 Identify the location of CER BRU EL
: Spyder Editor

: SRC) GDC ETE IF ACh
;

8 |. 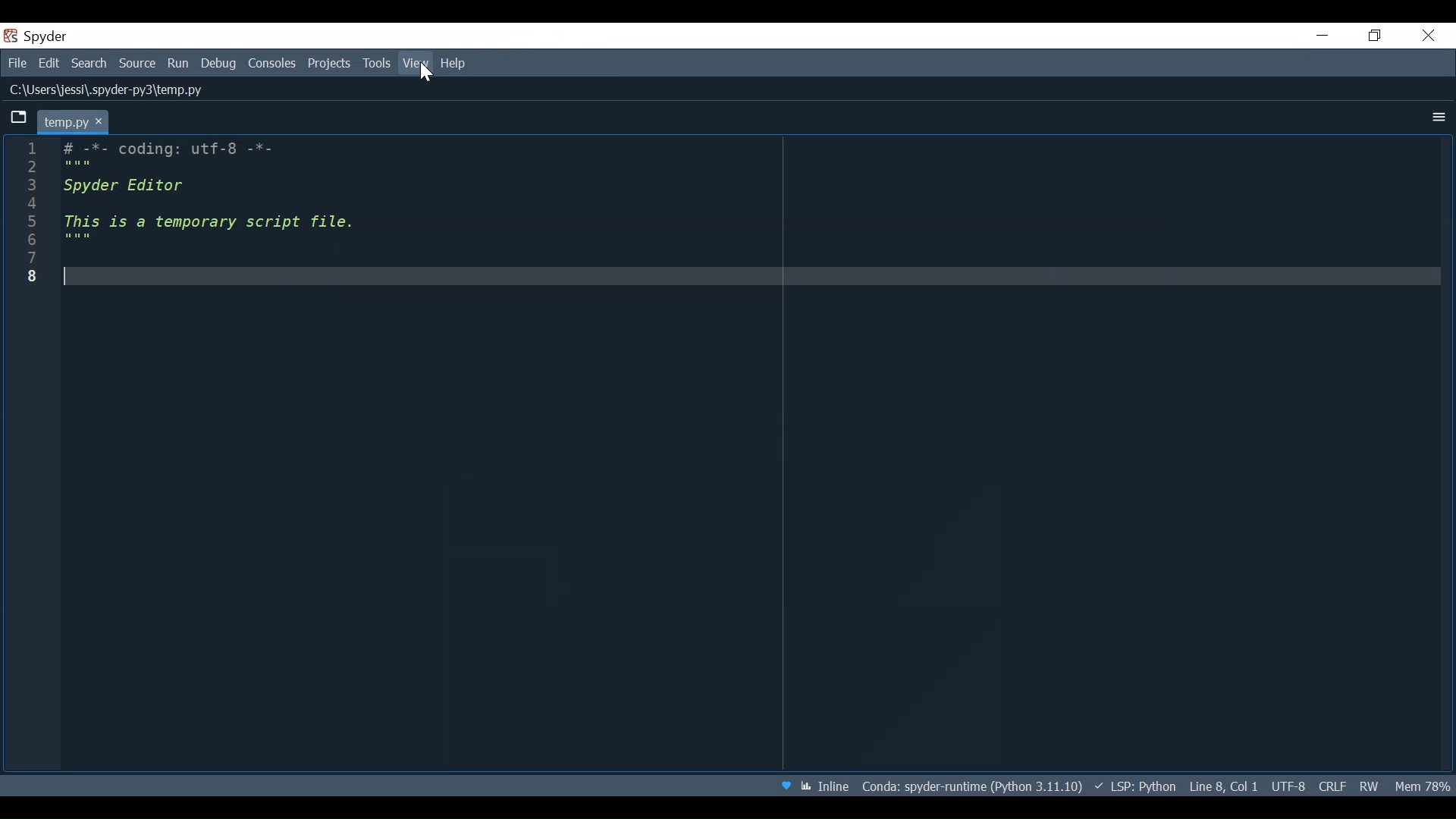
(184, 215).